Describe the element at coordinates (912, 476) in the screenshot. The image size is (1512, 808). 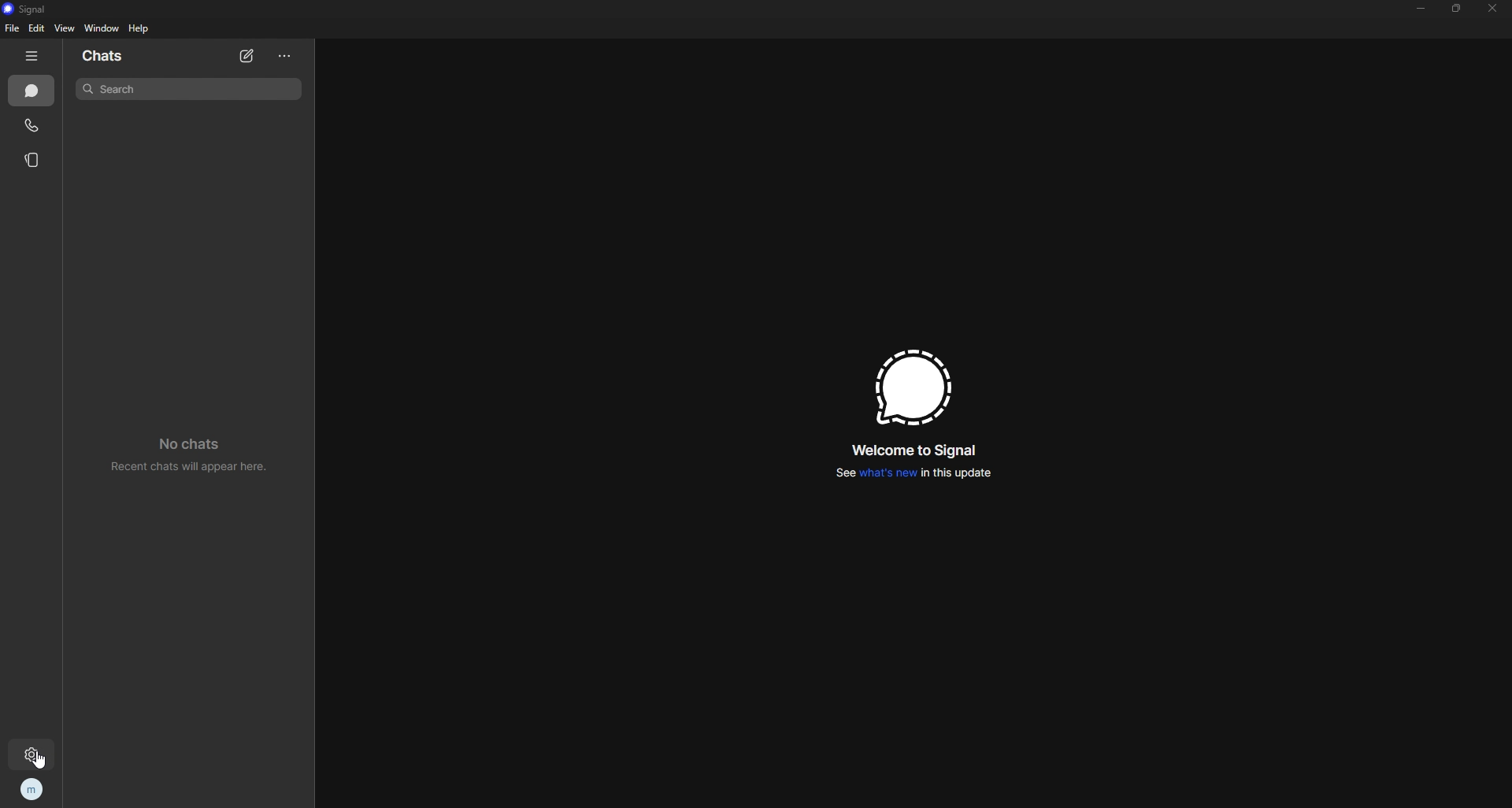
I see `see whats new in this update` at that location.